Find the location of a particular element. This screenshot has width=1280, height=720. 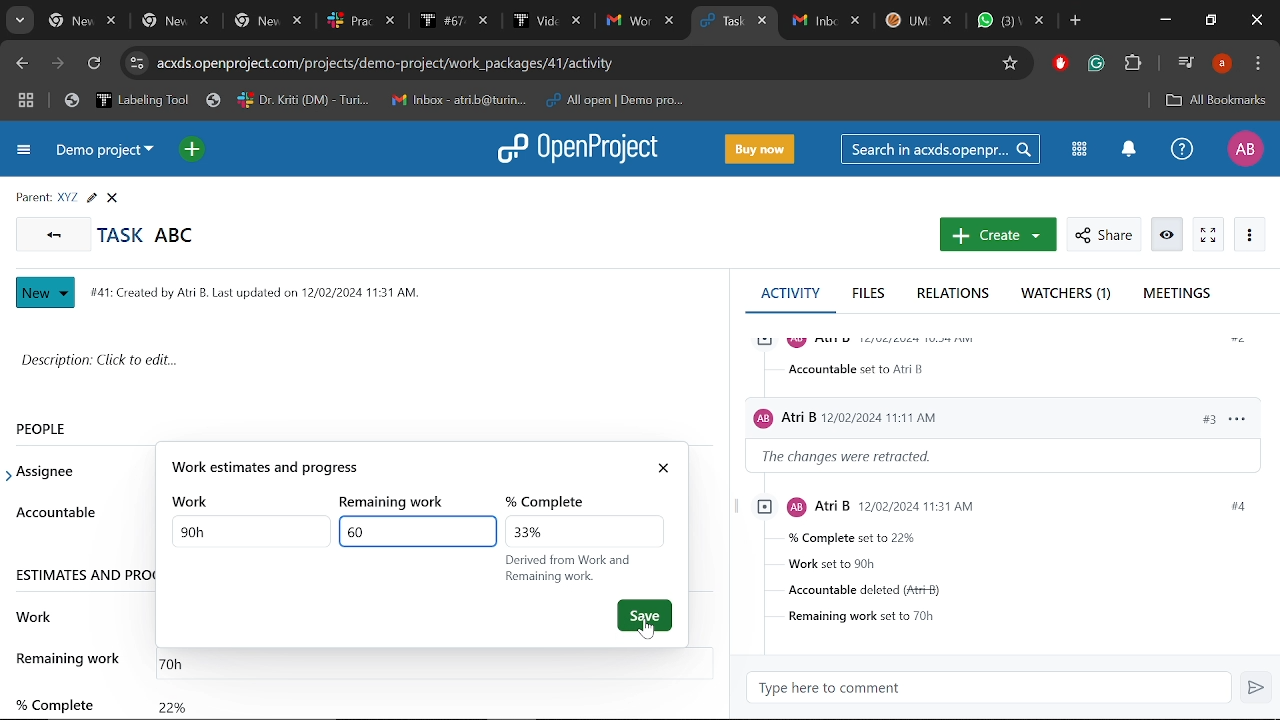

work is located at coordinates (195, 502).